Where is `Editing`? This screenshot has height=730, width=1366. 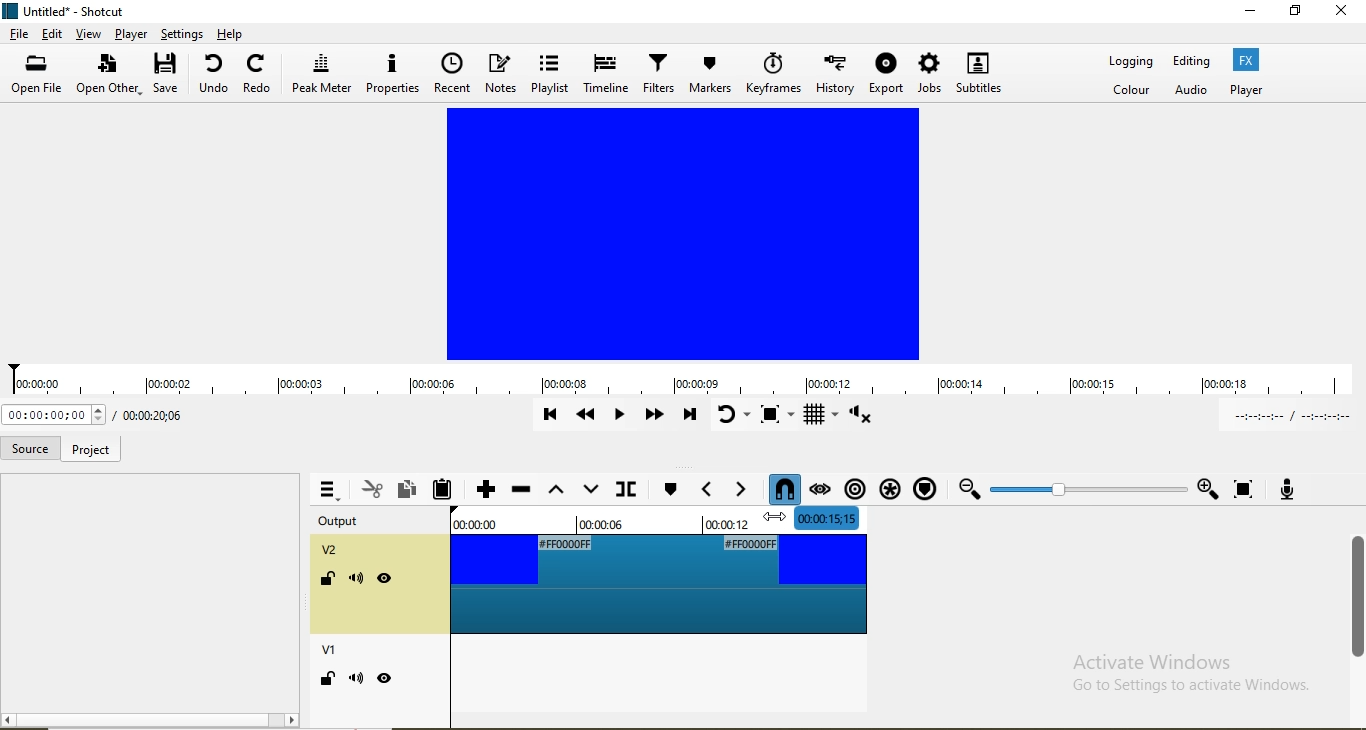
Editing is located at coordinates (1191, 61).